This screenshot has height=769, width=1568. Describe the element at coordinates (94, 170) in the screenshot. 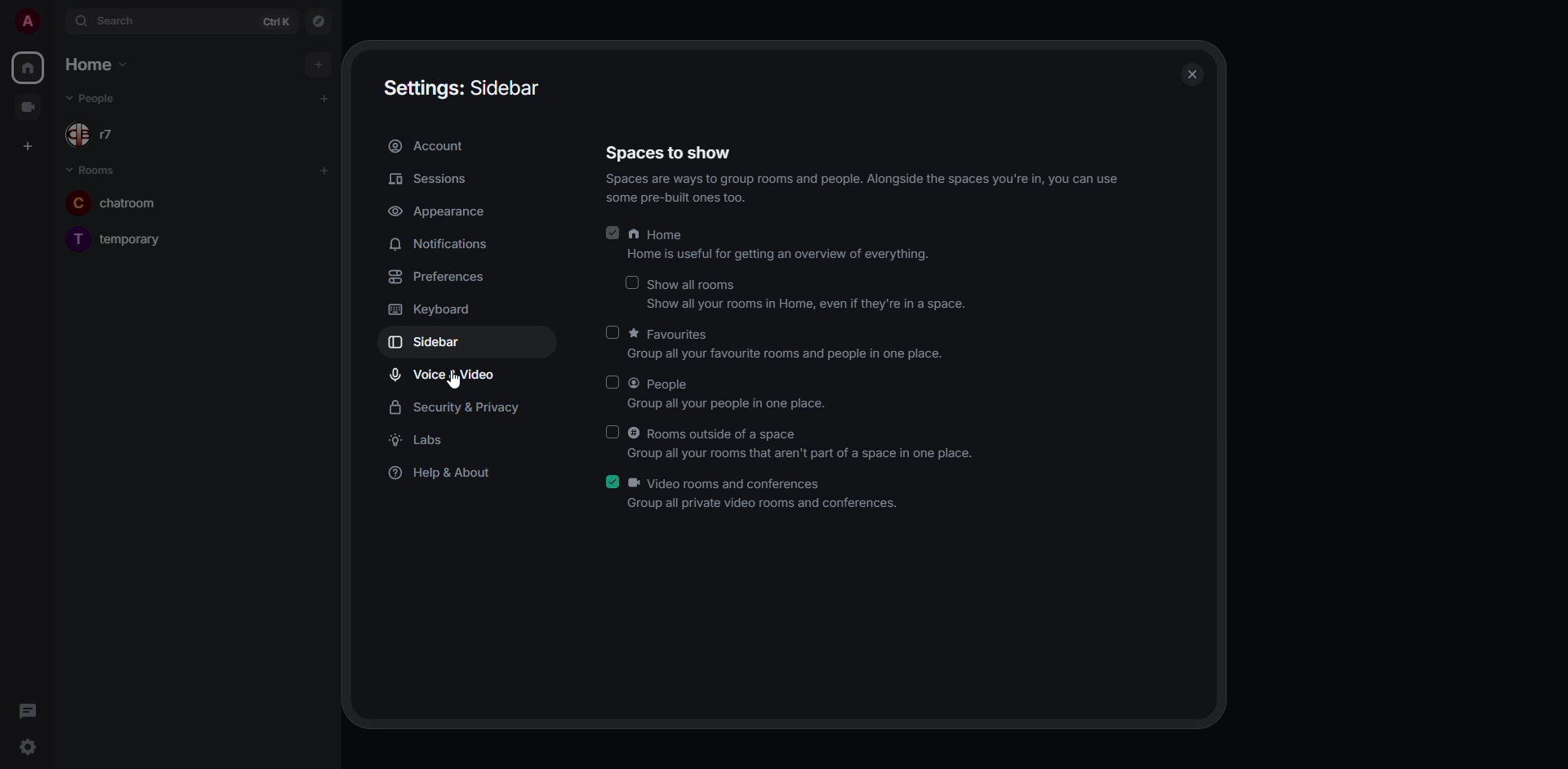

I see `rooms` at that location.